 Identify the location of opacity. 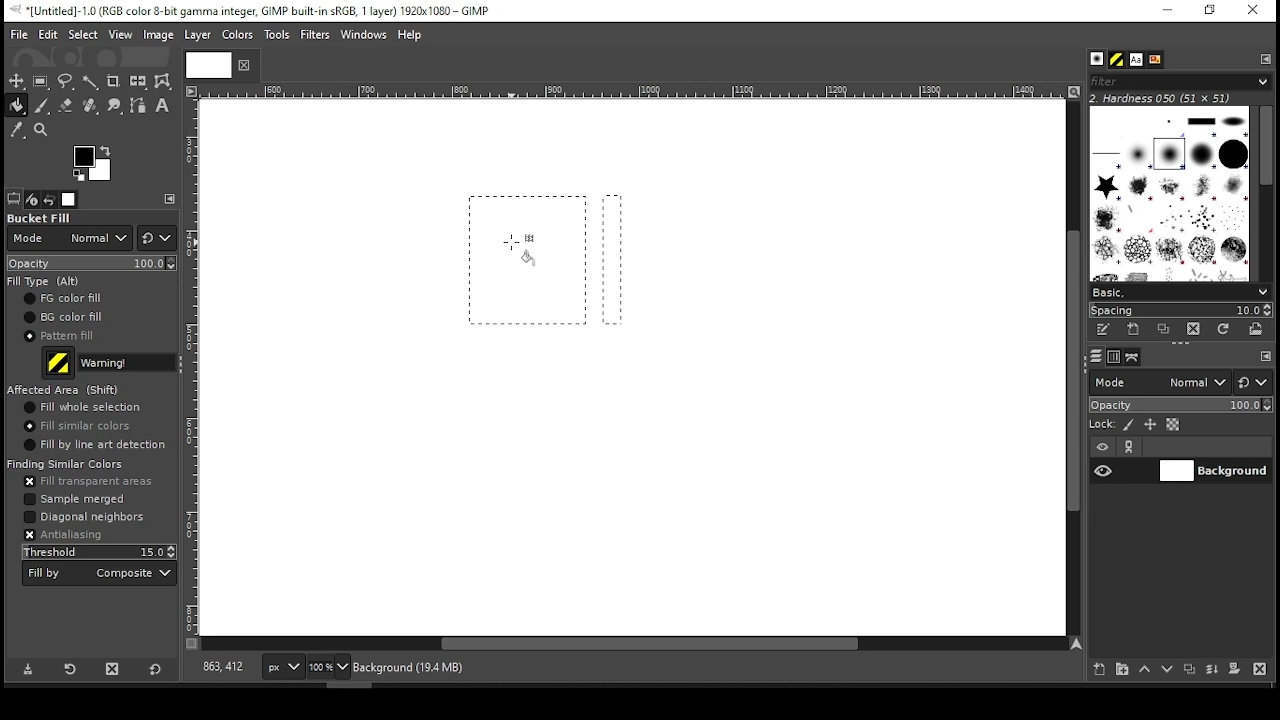
(1179, 407).